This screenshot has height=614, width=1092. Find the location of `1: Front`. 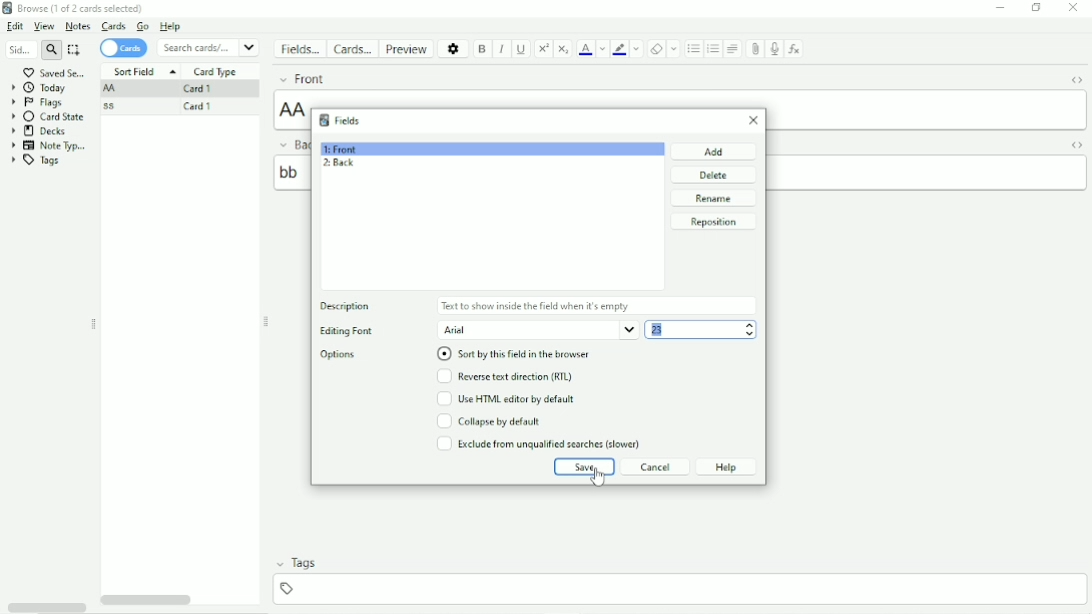

1: Front is located at coordinates (341, 149).